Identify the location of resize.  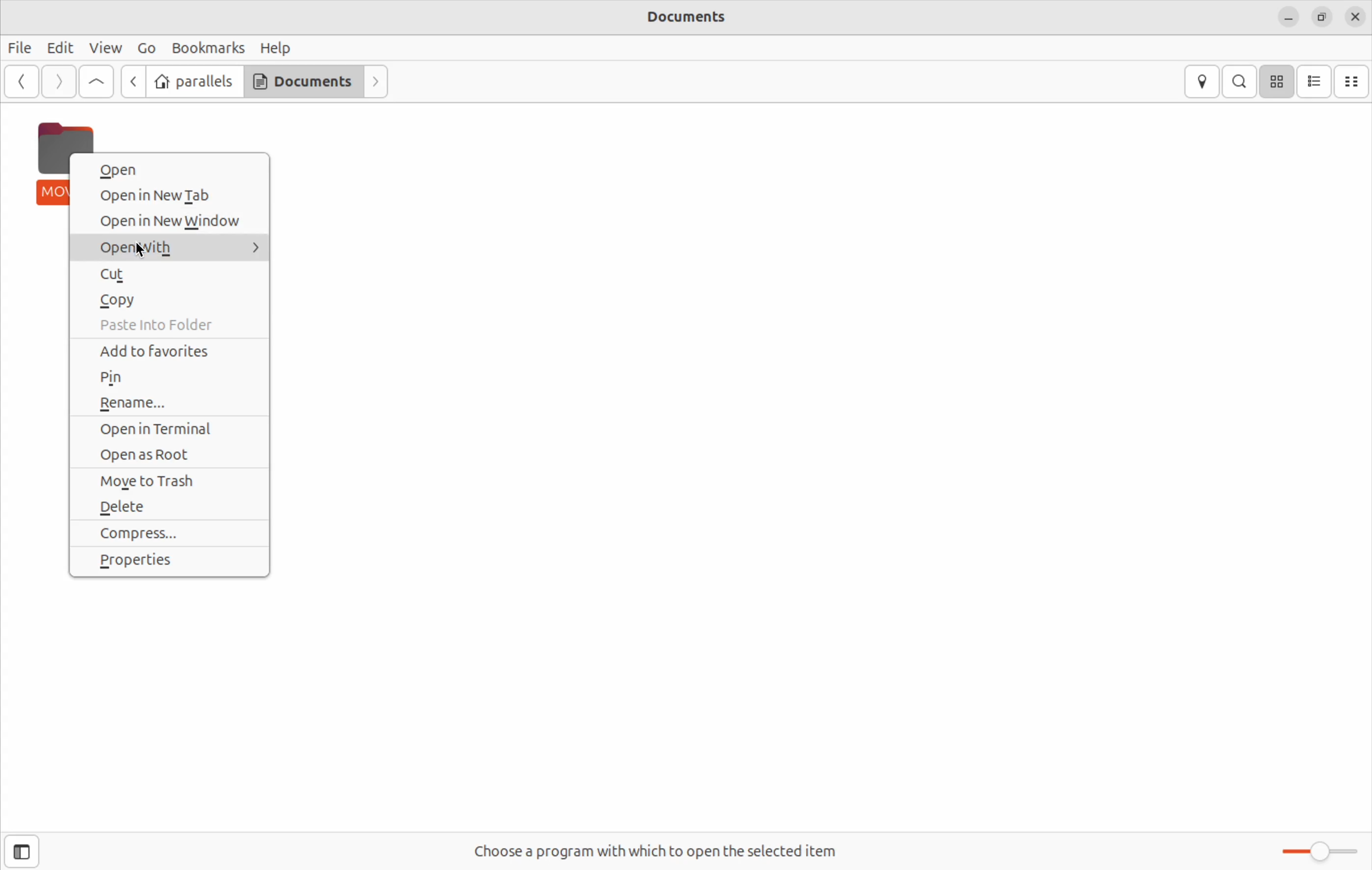
(1322, 16).